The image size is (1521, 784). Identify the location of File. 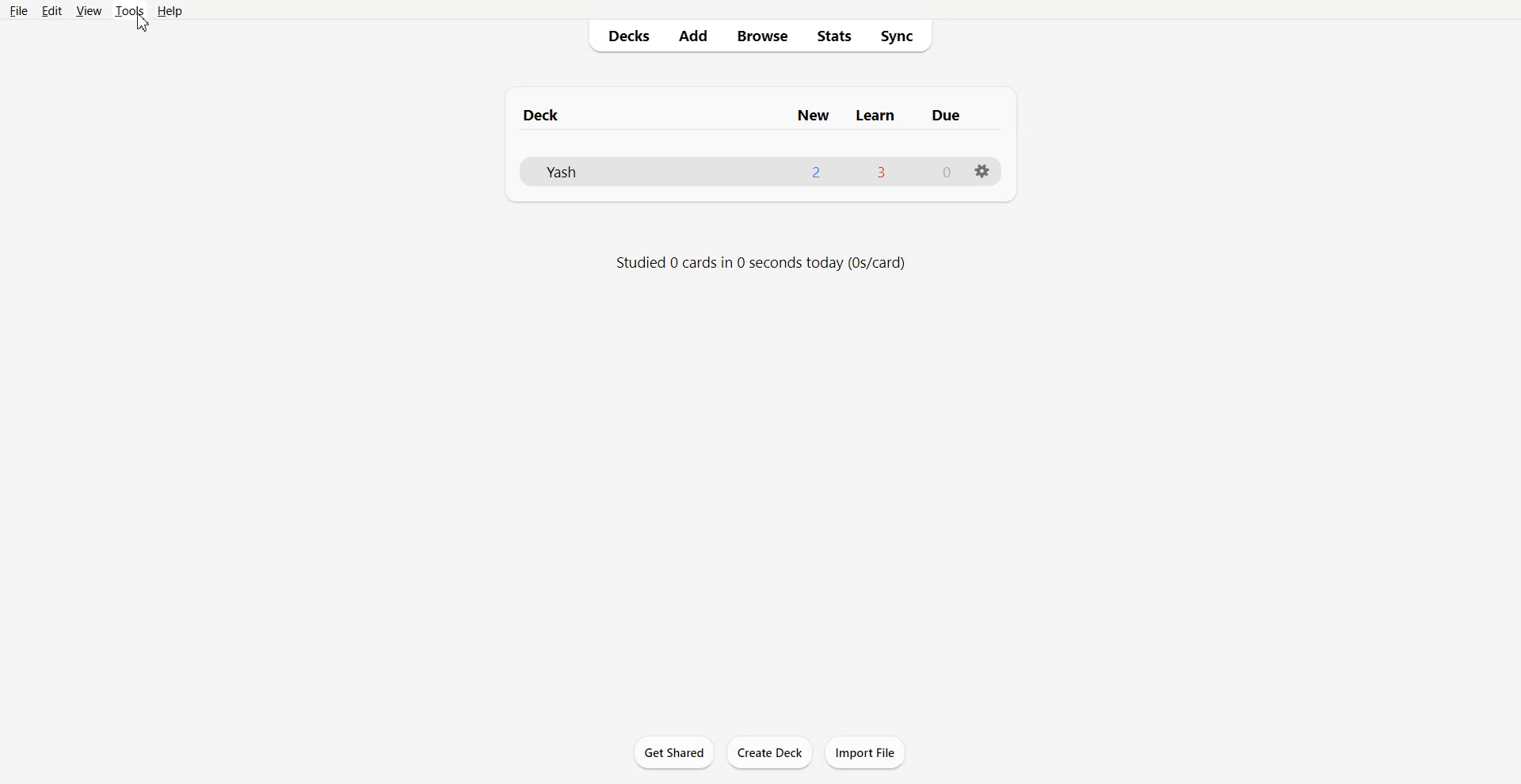
(19, 10).